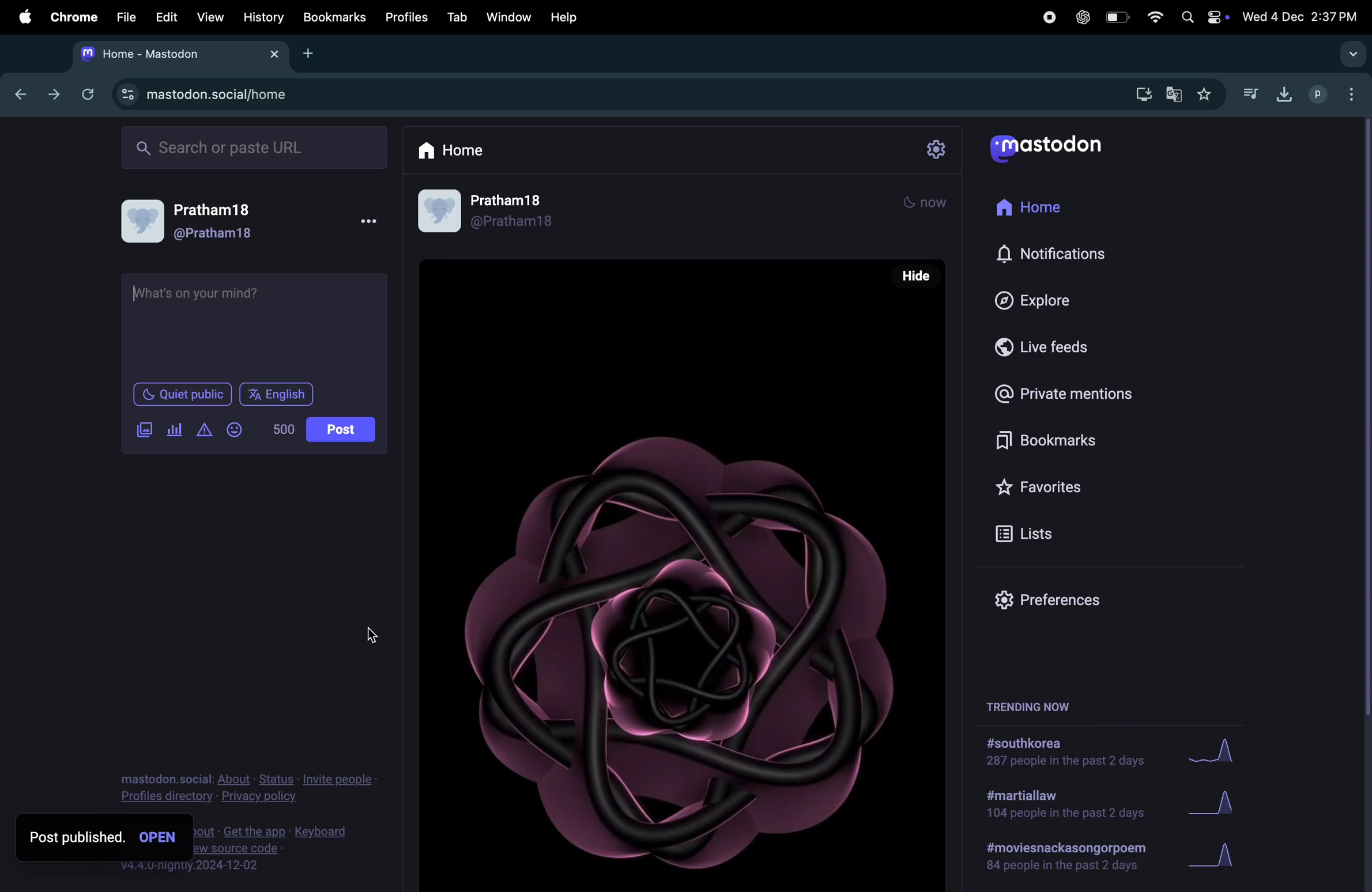 The height and width of the screenshot is (892, 1372). Describe the element at coordinates (1217, 856) in the screenshot. I see `Graph` at that location.